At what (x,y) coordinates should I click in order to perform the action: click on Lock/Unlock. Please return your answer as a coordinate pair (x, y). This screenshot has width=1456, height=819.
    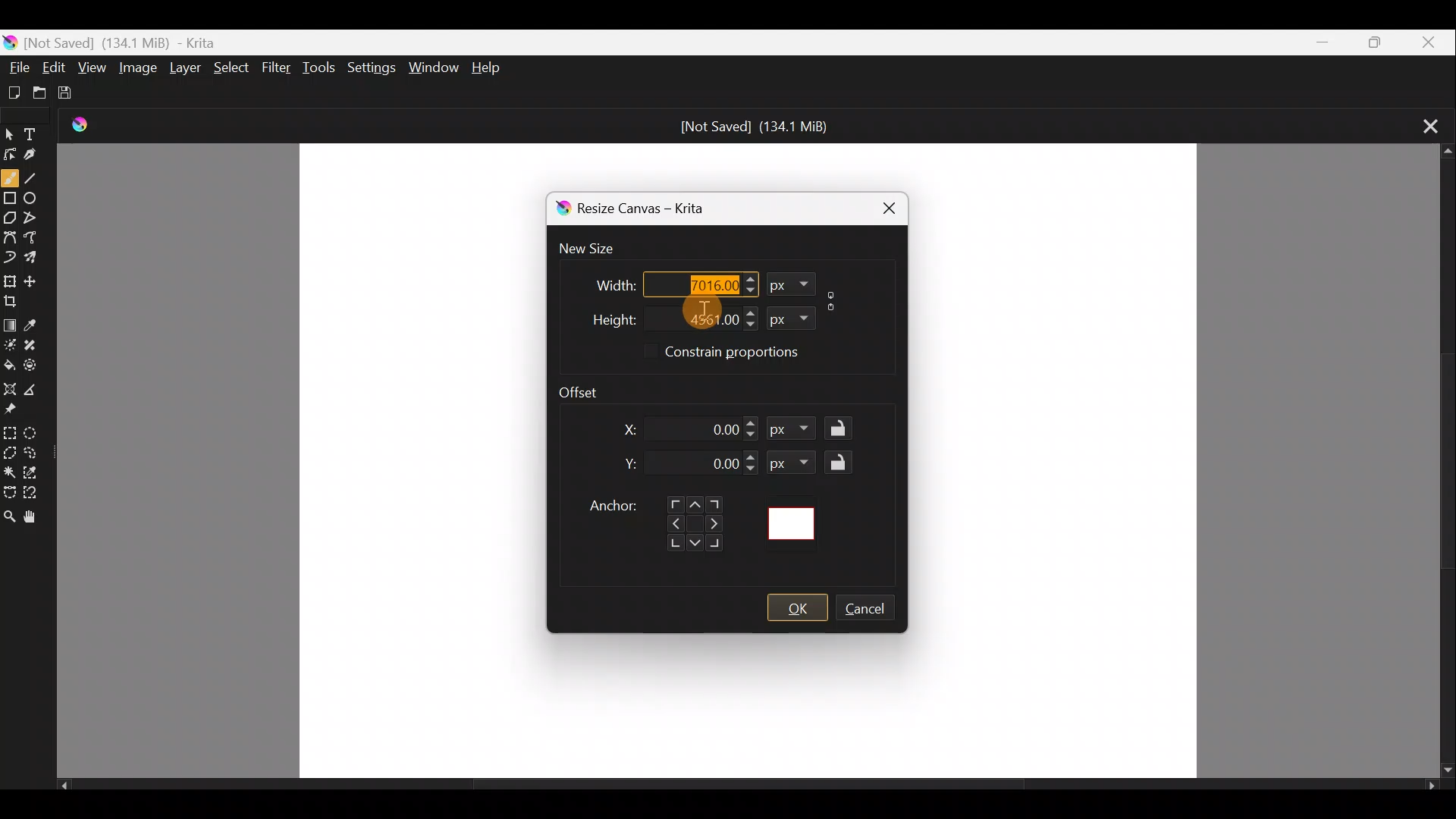
    Looking at the image, I should click on (843, 429).